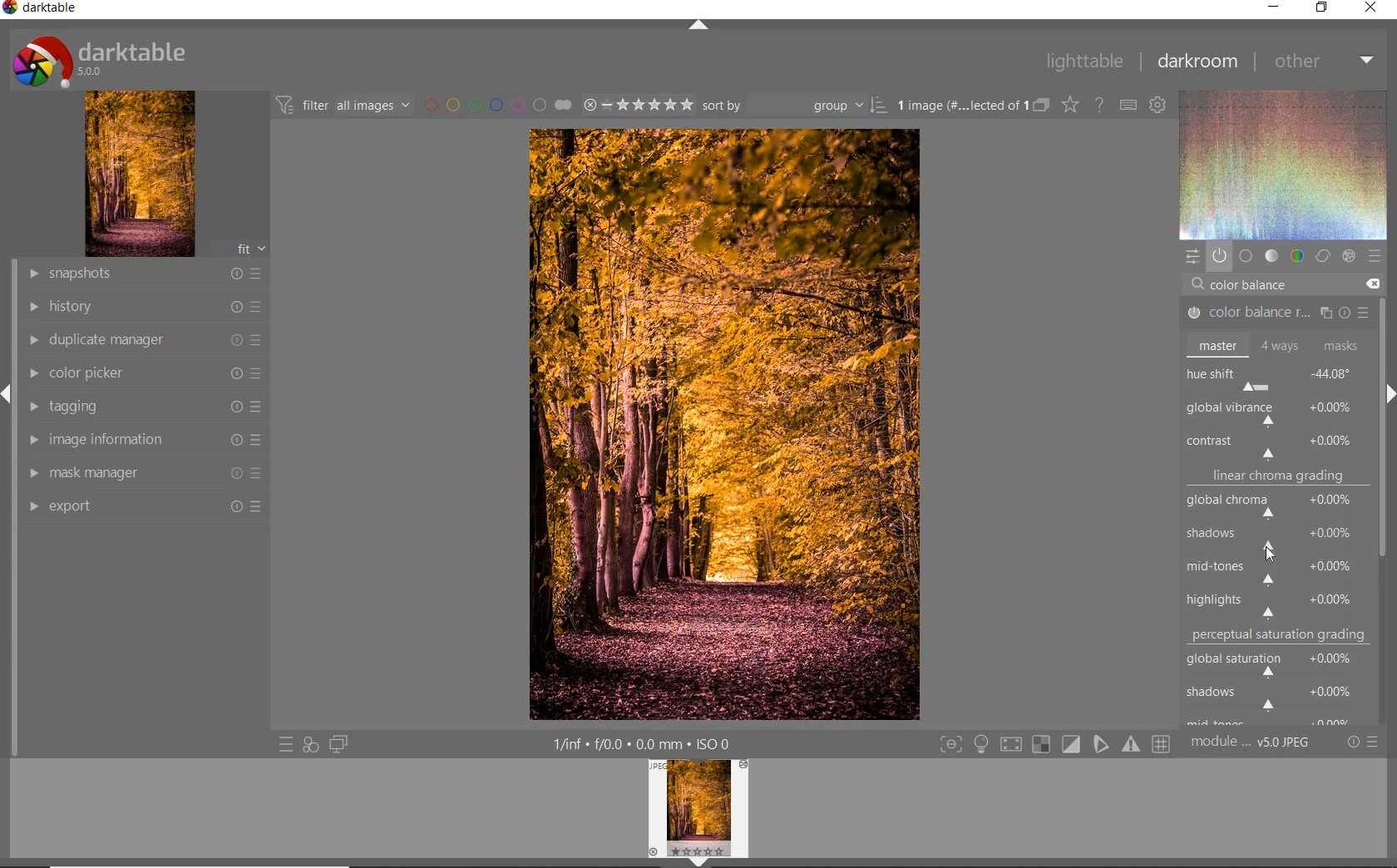 The height and width of the screenshot is (868, 1397). What do you see at coordinates (1041, 106) in the screenshot?
I see `collapse grouped image` at bounding box center [1041, 106].